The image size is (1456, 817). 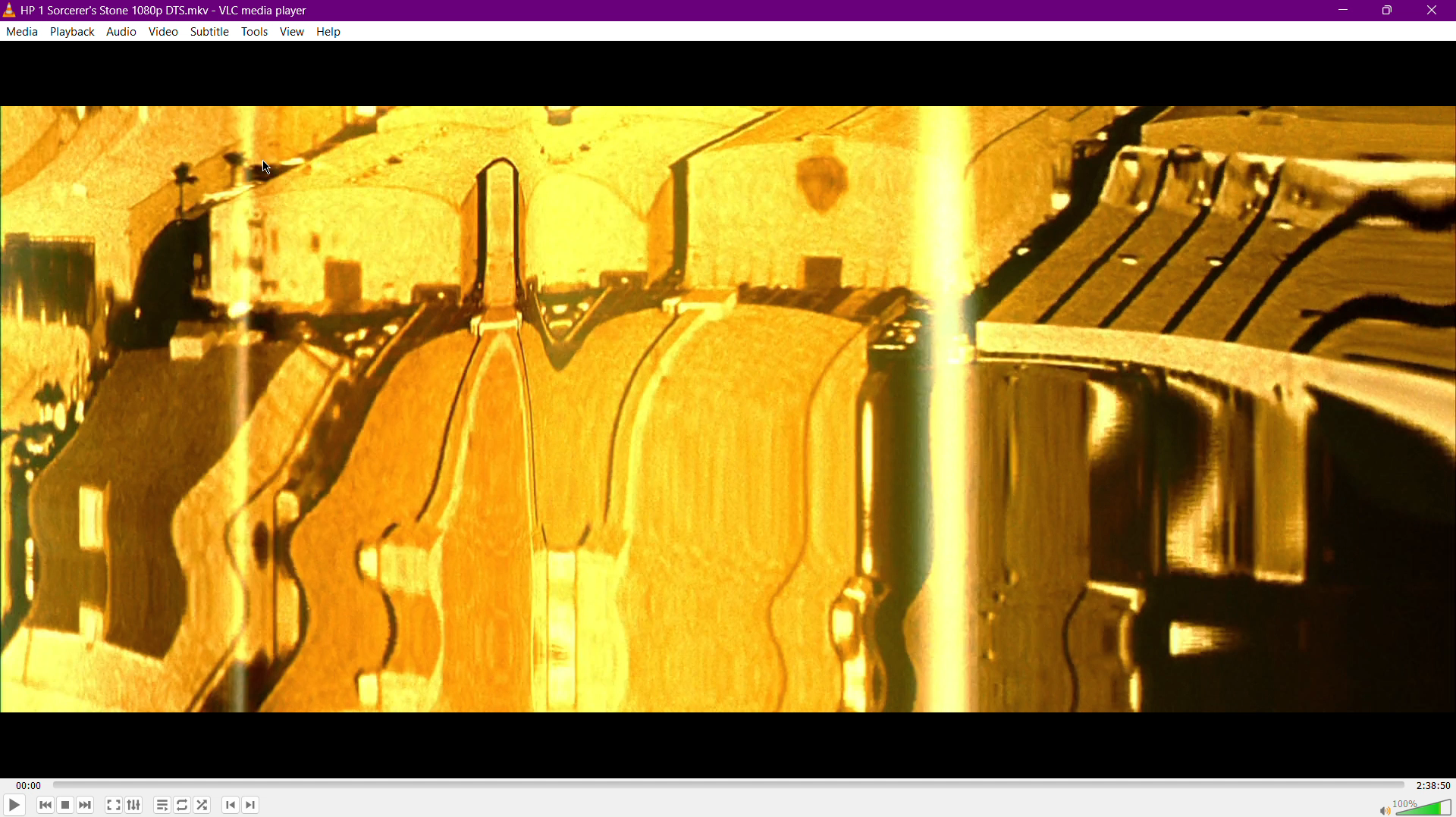 What do you see at coordinates (725, 783) in the screenshot?
I see `Timeline` at bounding box center [725, 783].